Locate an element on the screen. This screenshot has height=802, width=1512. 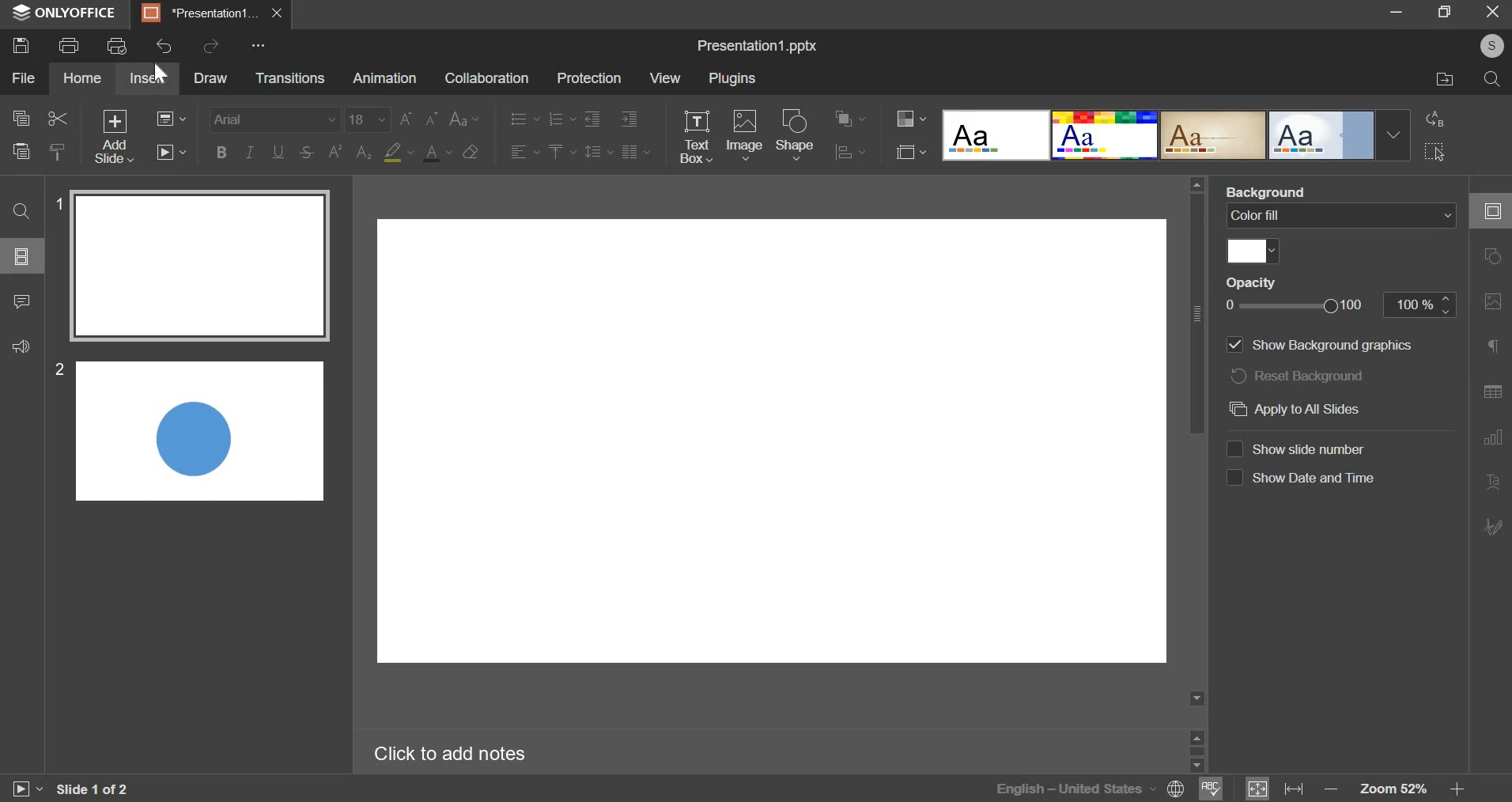
fit to width is located at coordinates (1295, 789).